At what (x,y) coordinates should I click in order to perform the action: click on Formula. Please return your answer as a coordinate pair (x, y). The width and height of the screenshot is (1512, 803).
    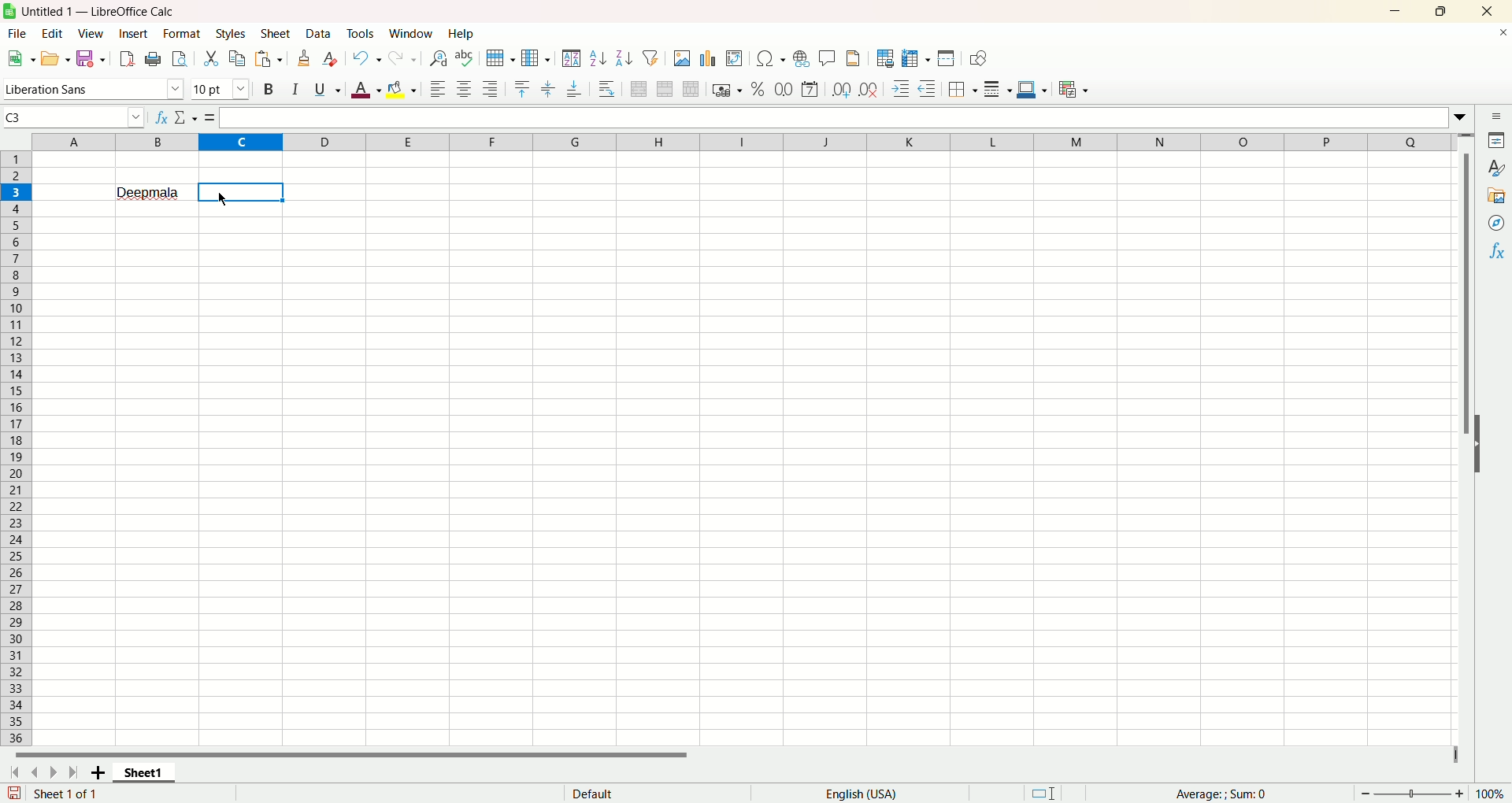
    Looking at the image, I should click on (1221, 794).